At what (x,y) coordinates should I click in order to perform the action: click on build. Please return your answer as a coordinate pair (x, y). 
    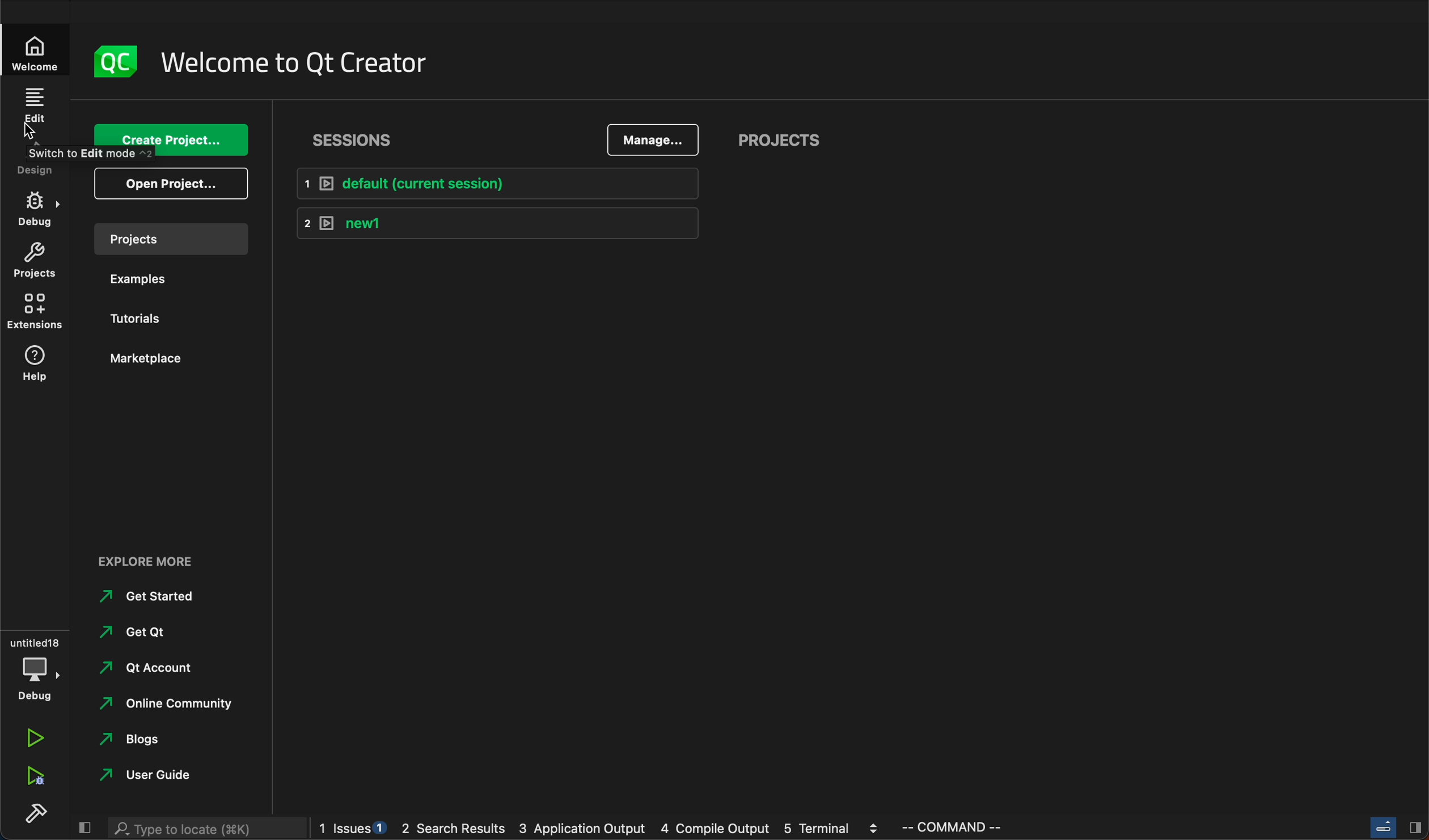
    Looking at the image, I should click on (33, 816).